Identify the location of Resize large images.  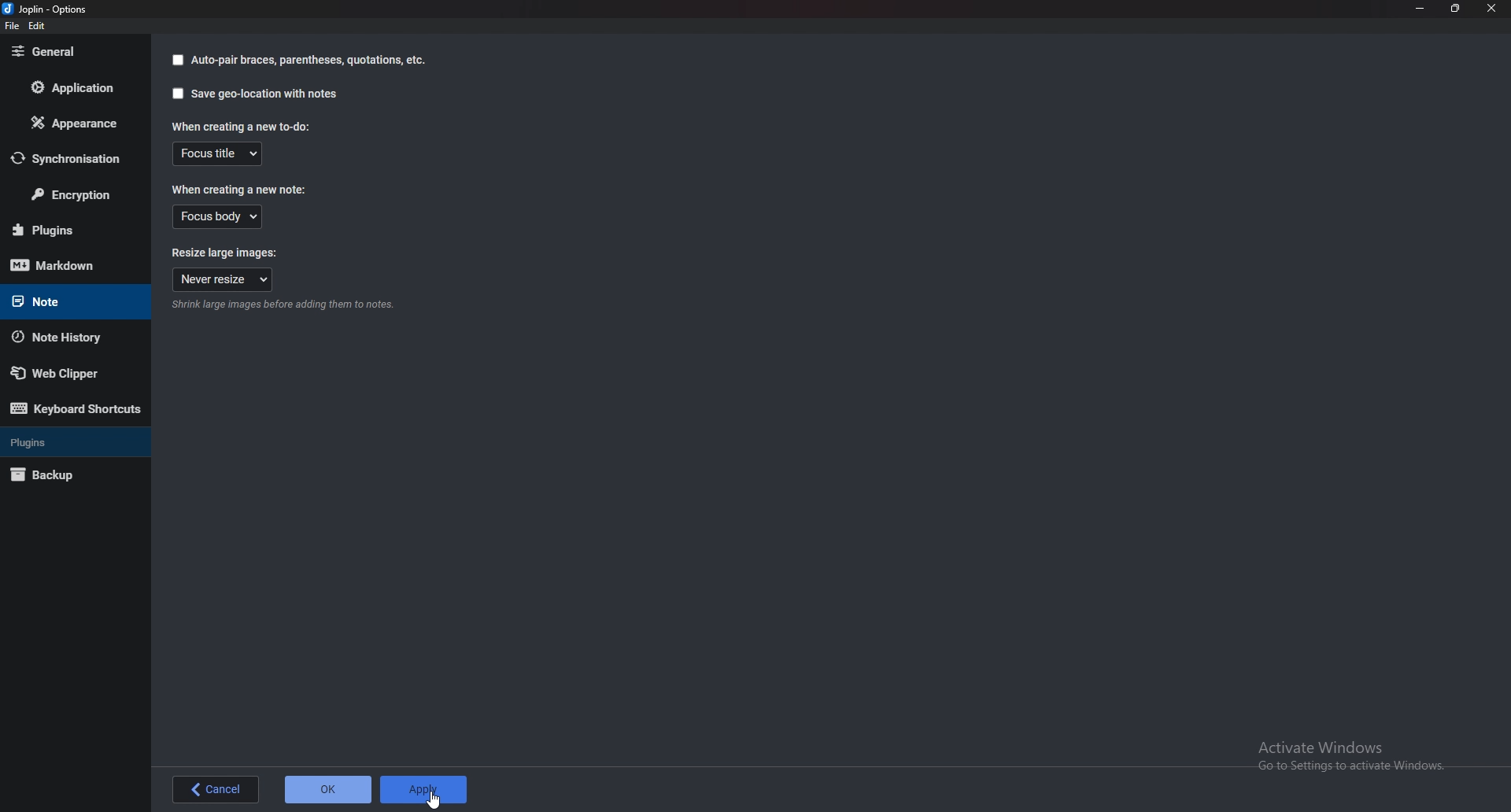
(219, 253).